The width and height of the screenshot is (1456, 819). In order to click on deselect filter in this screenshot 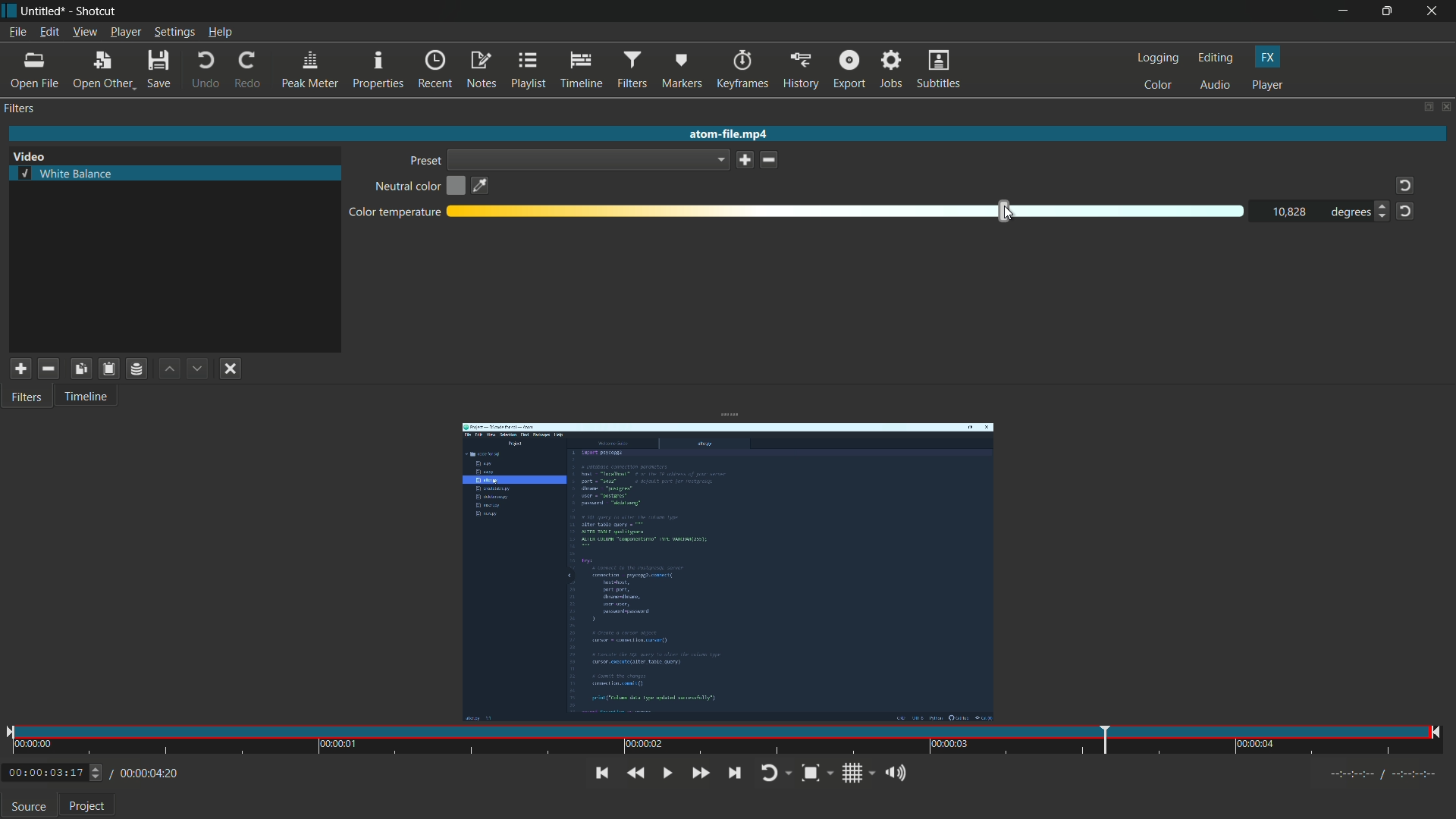, I will do `click(231, 369)`.